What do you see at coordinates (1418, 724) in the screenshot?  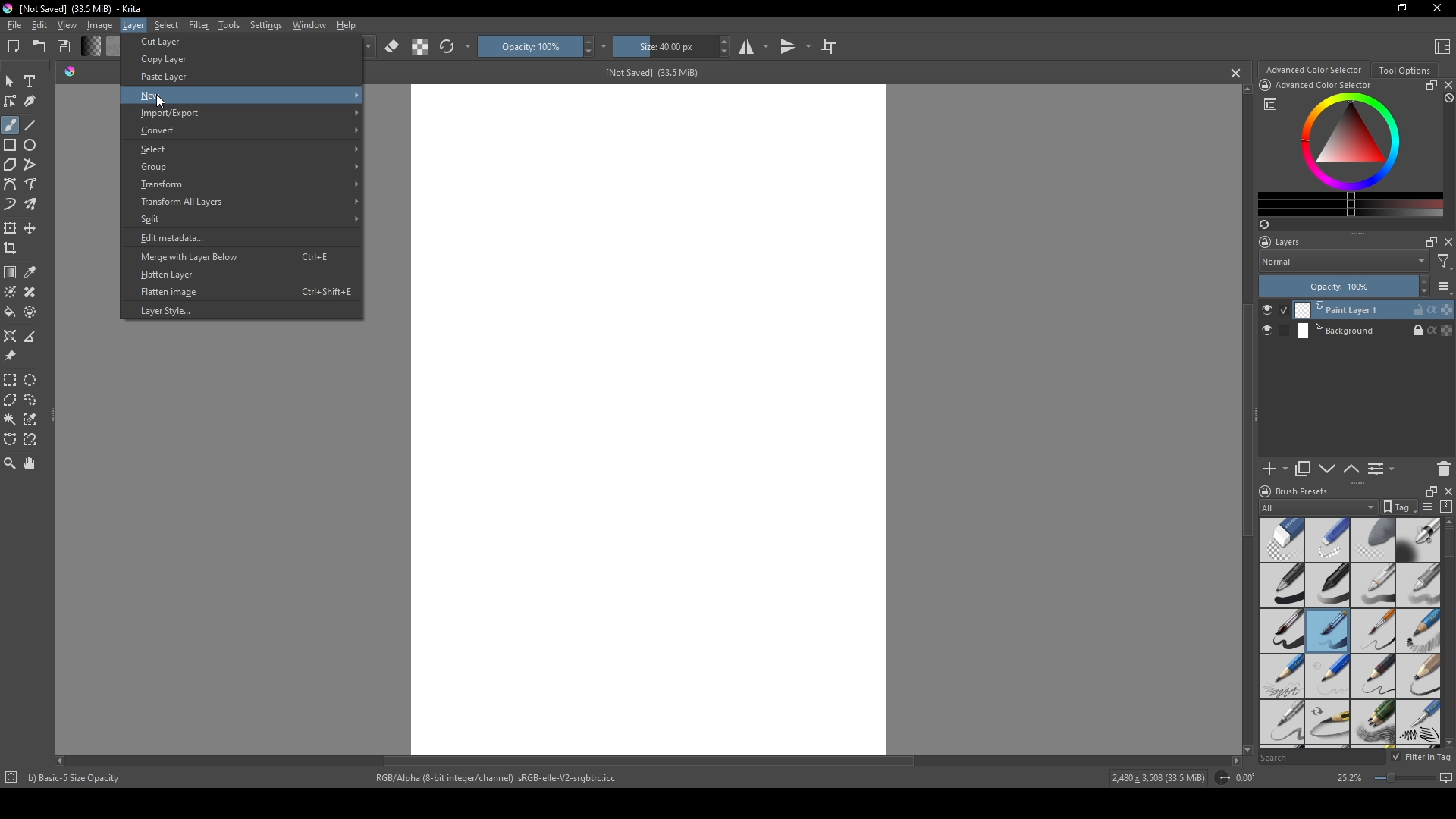 I see `calligraphy pen` at bounding box center [1418, 724].